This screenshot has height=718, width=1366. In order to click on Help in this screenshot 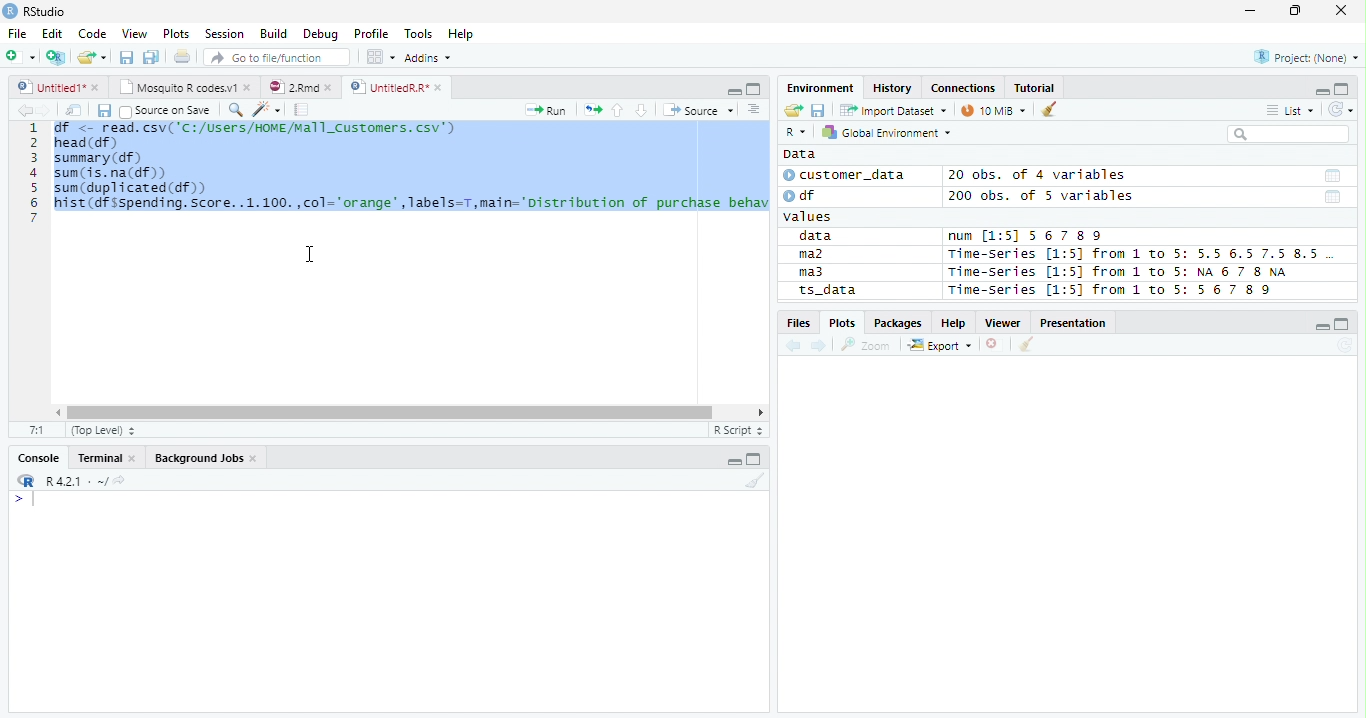, I will do `click(954, 324)`.